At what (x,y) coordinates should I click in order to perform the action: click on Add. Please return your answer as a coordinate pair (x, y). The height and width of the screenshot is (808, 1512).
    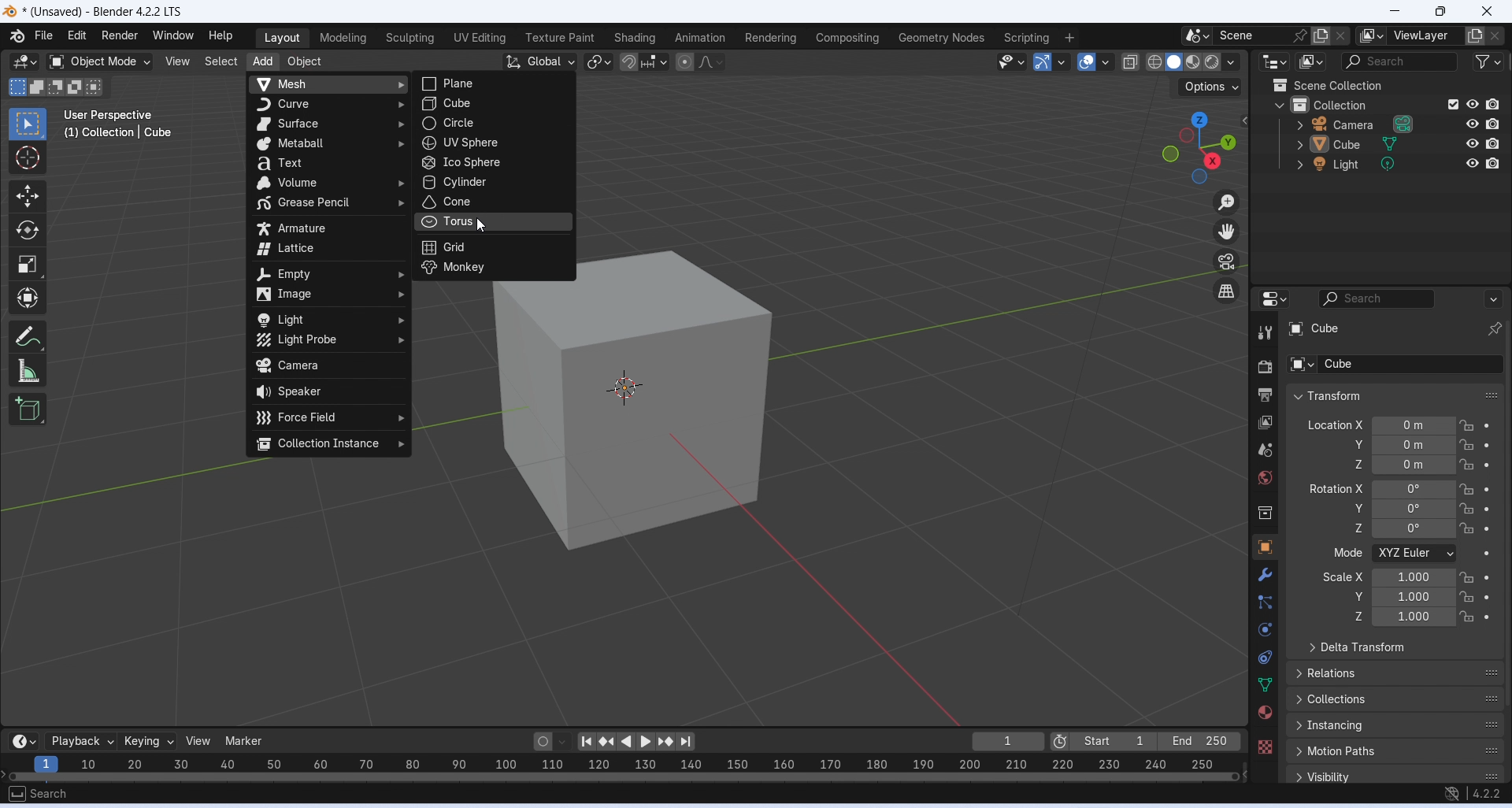
    Looking at the image, I should click on (261, 61).